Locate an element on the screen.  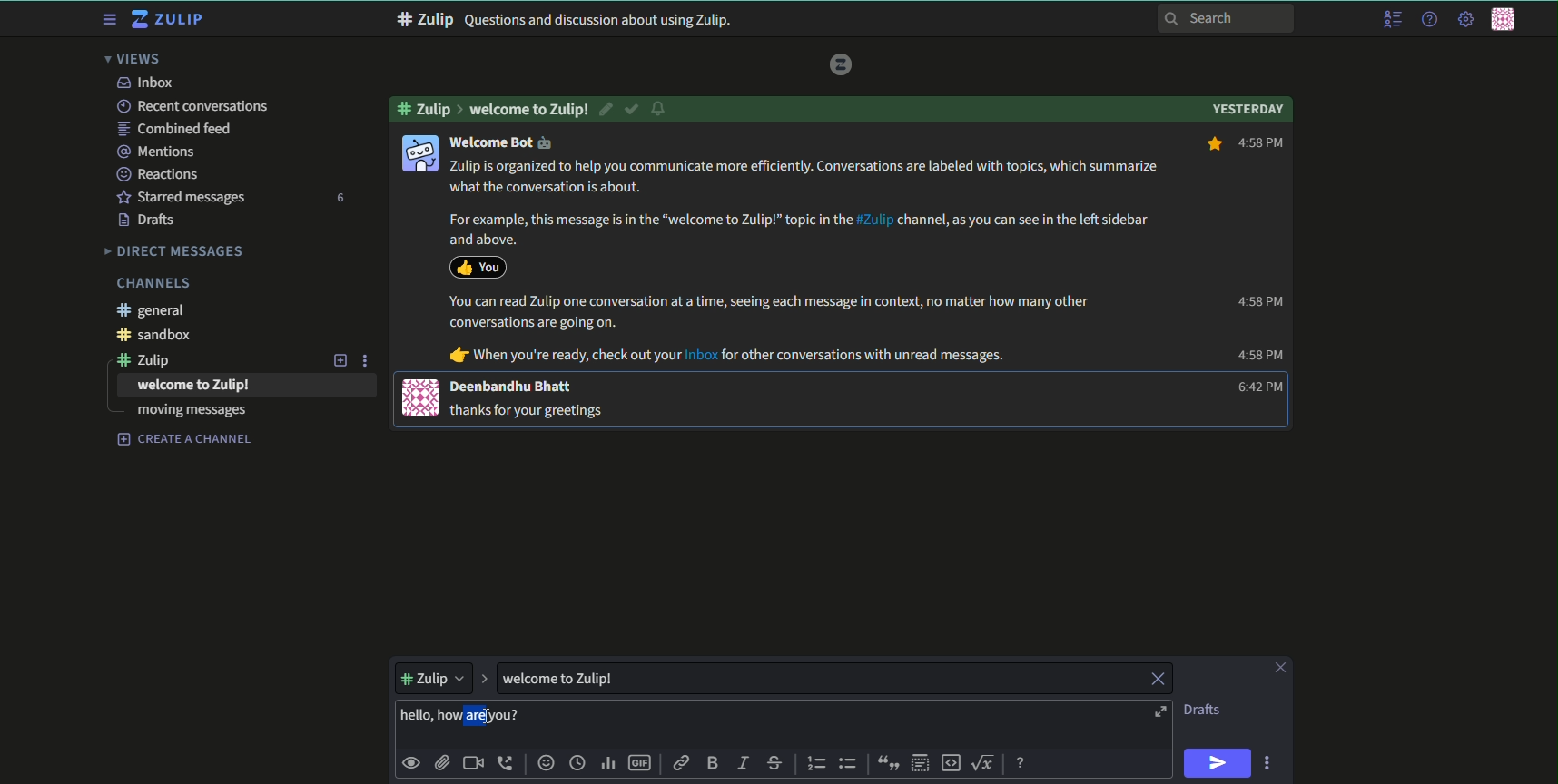
combined feed is located at coordinates (177, 129).